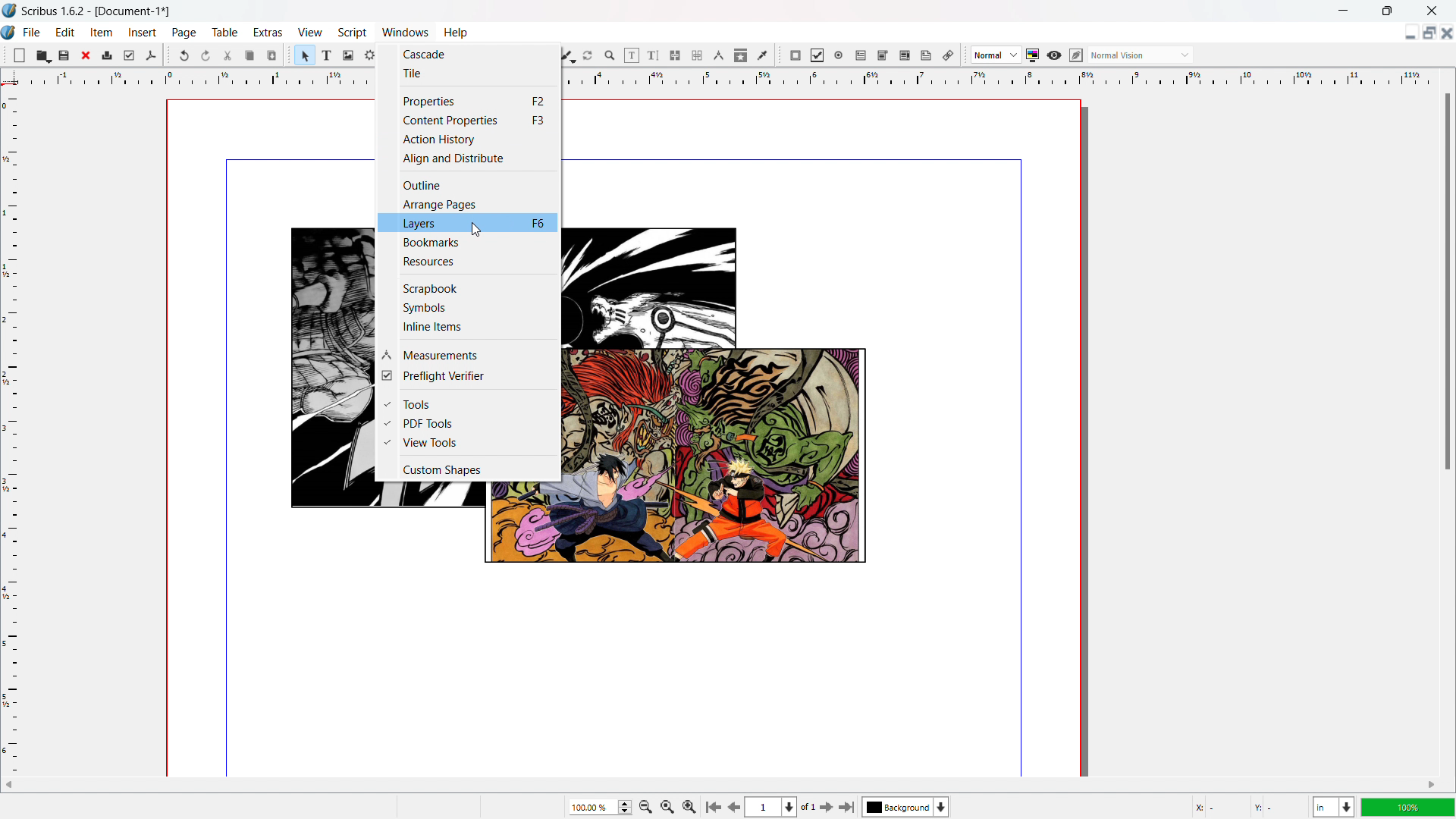  What do you see at coordinates (469, 184) in the screenshot?
I see `outline` at bounding box center [469, 184].